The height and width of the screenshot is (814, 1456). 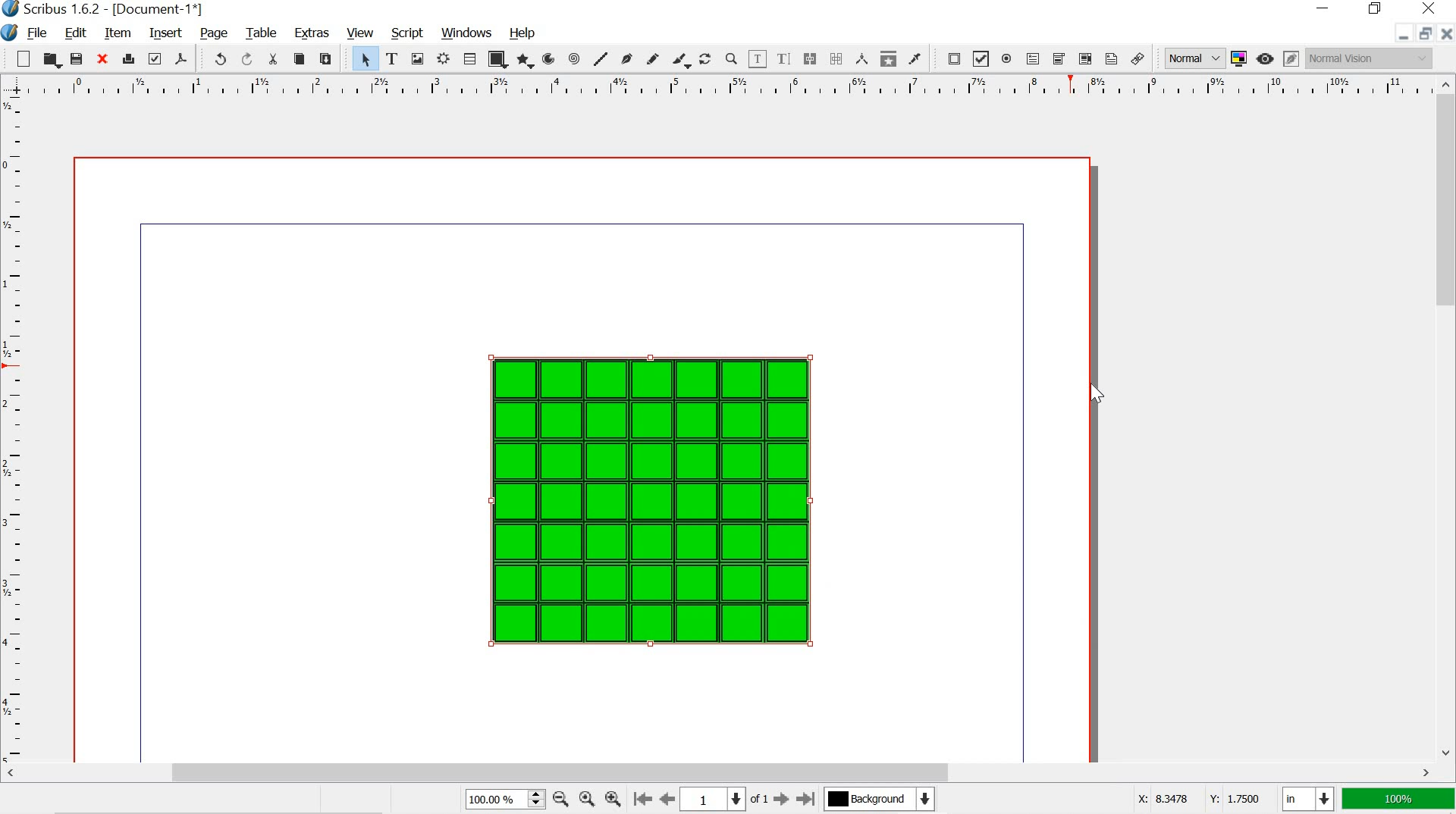 What do you see at coordinates (717, 86) in the screenshot?
I see `ruler` at bounding box center [717, 86].